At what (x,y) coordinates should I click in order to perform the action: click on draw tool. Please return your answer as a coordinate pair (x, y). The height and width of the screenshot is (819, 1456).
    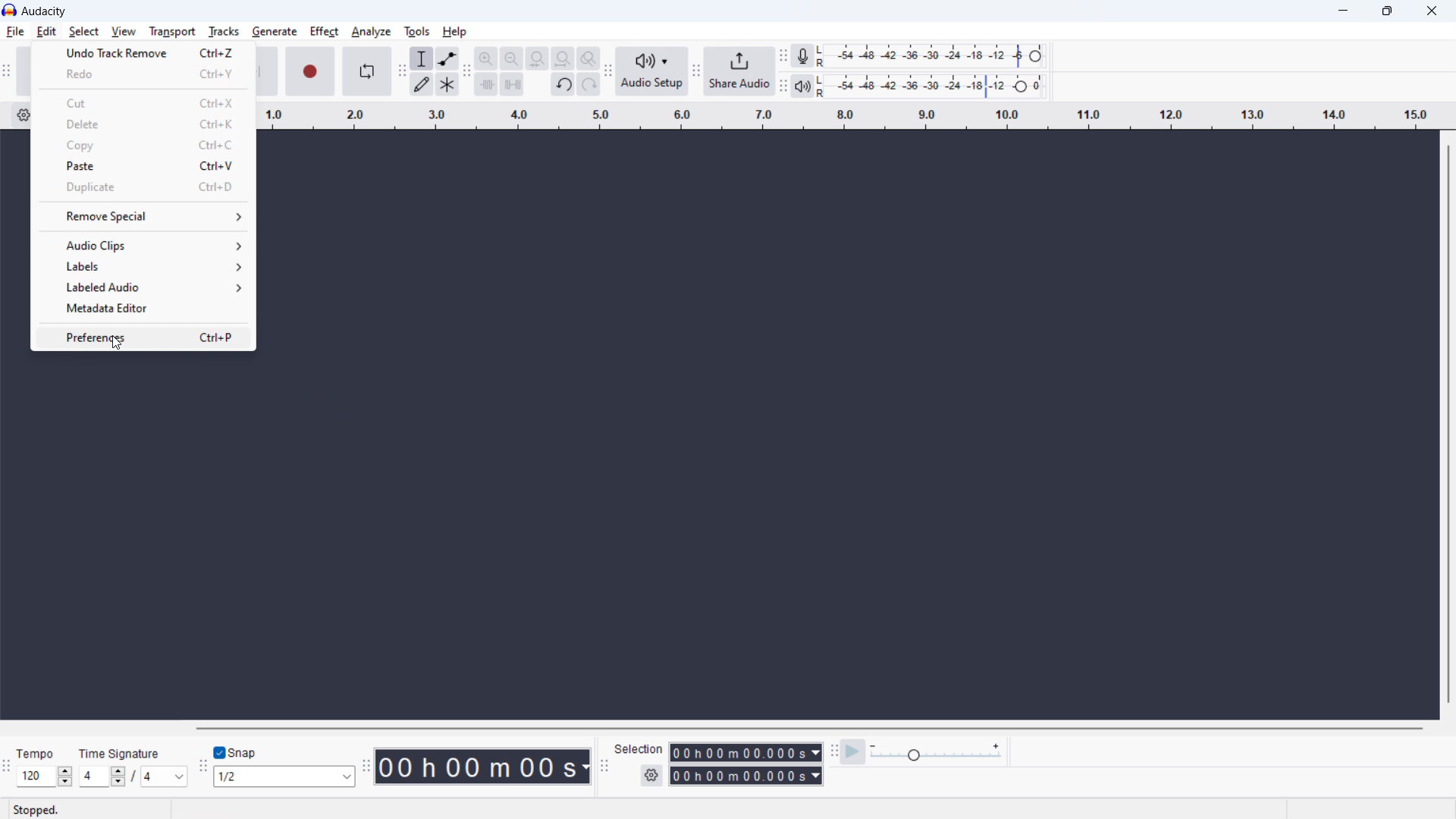
    Looking at the image, I should click on (422, 84).